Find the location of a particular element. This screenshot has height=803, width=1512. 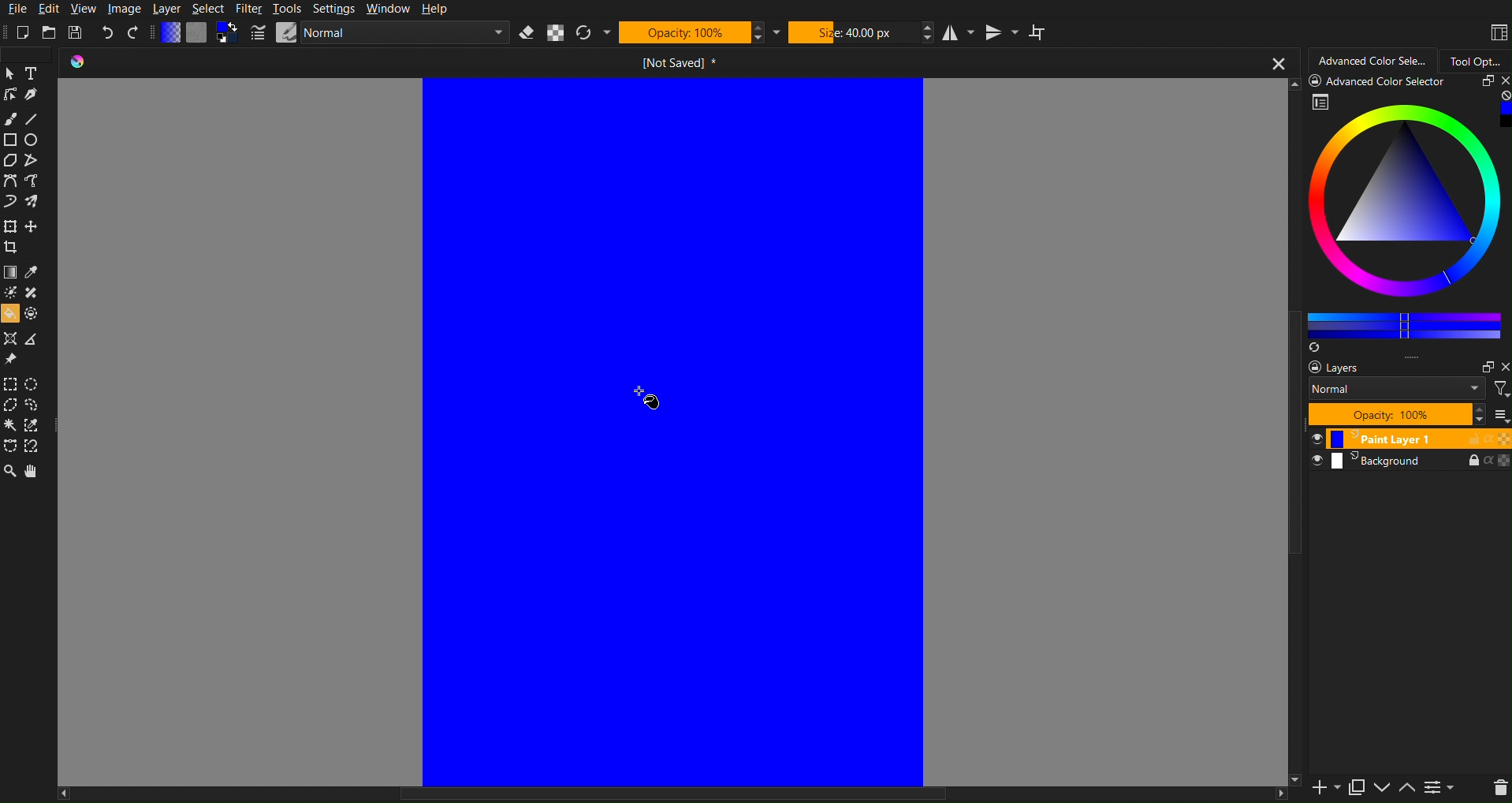

Normal is located at coordinates (378, 32).